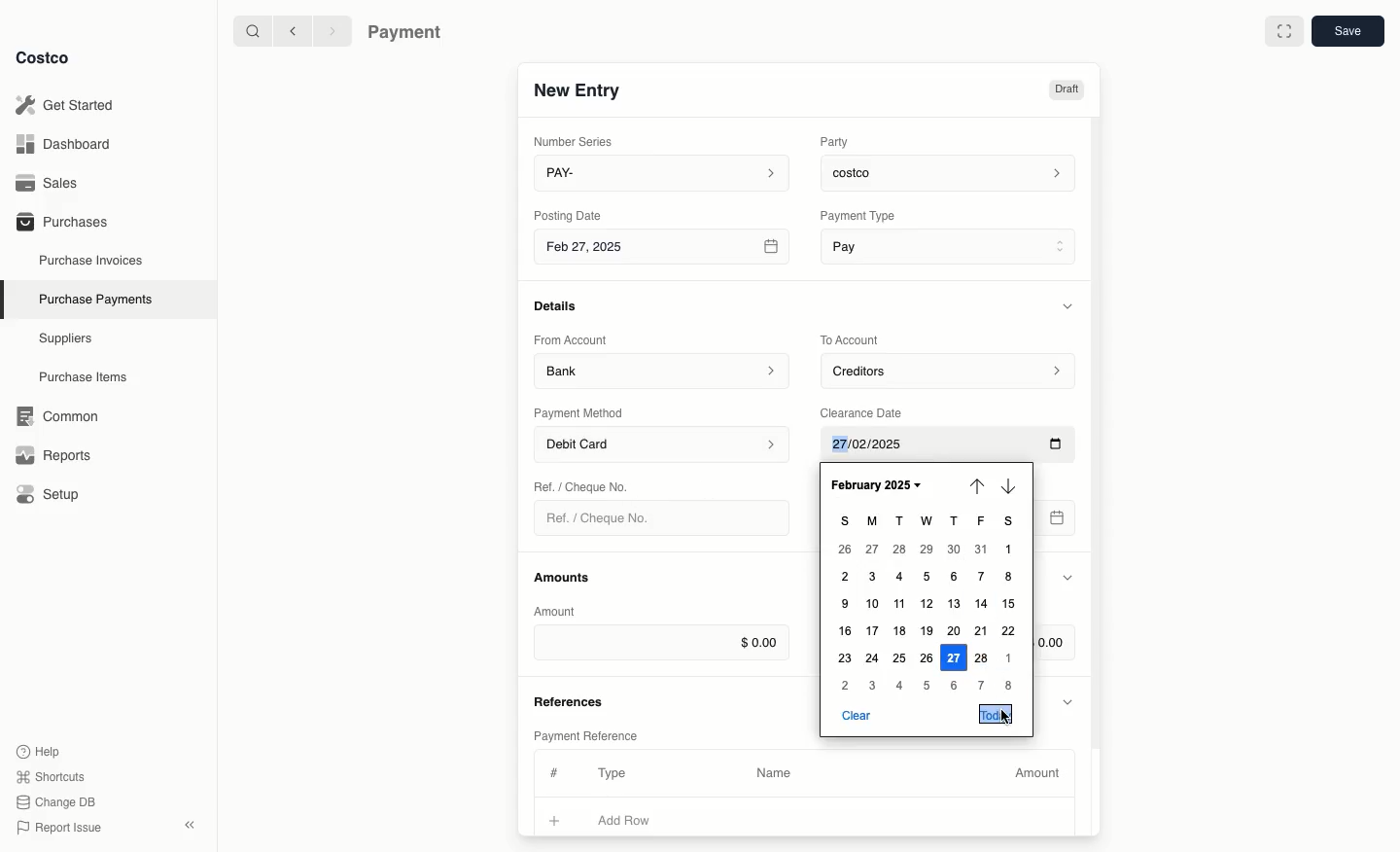 This screenshot has width=1400, height=852. Describe the element at coordinates (663, 172) in the screenshot. I see `PAY-` at that location.